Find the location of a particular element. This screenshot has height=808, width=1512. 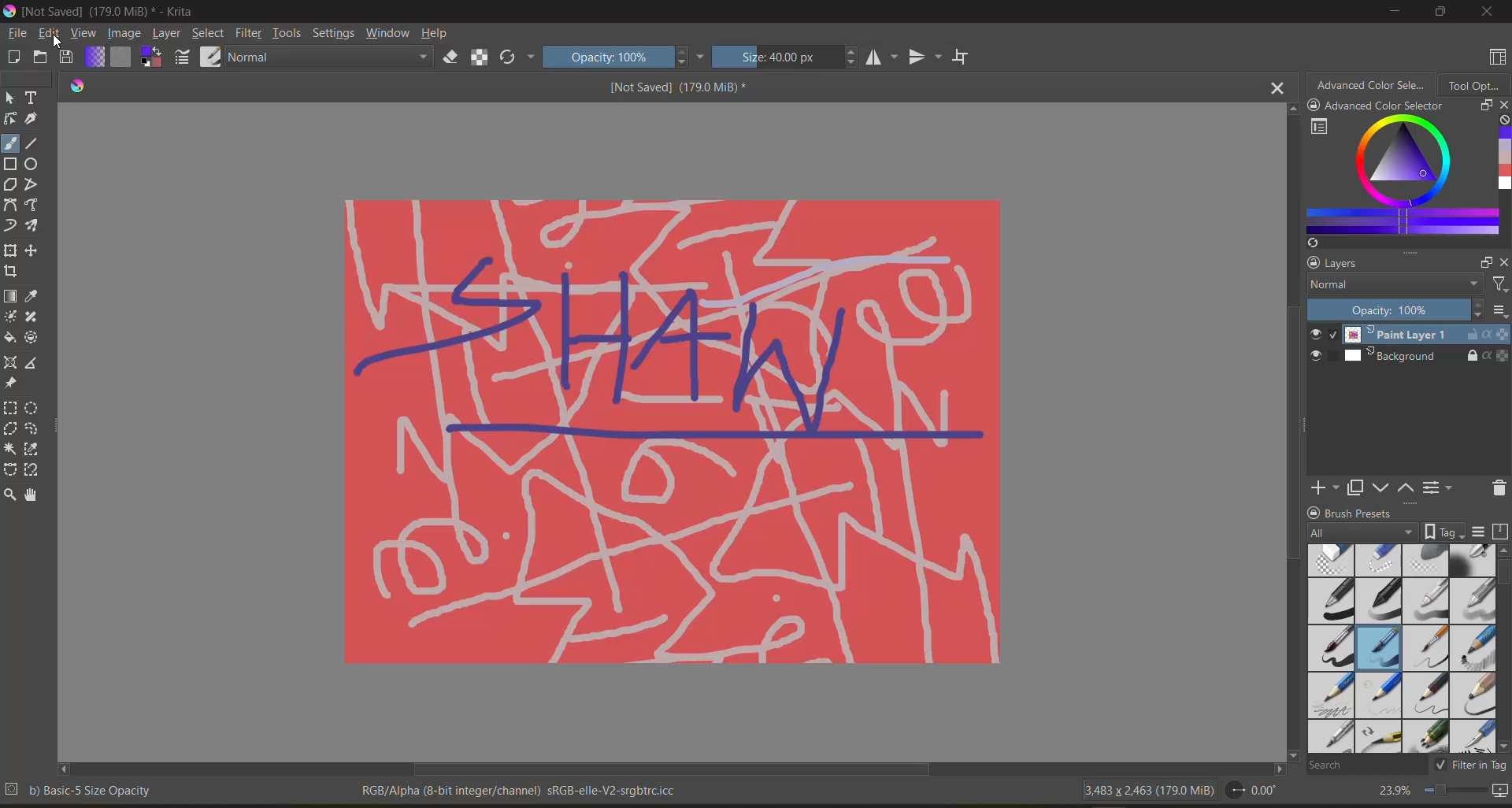

Magnetic curve selection tool is located at coordinates (35, 469).